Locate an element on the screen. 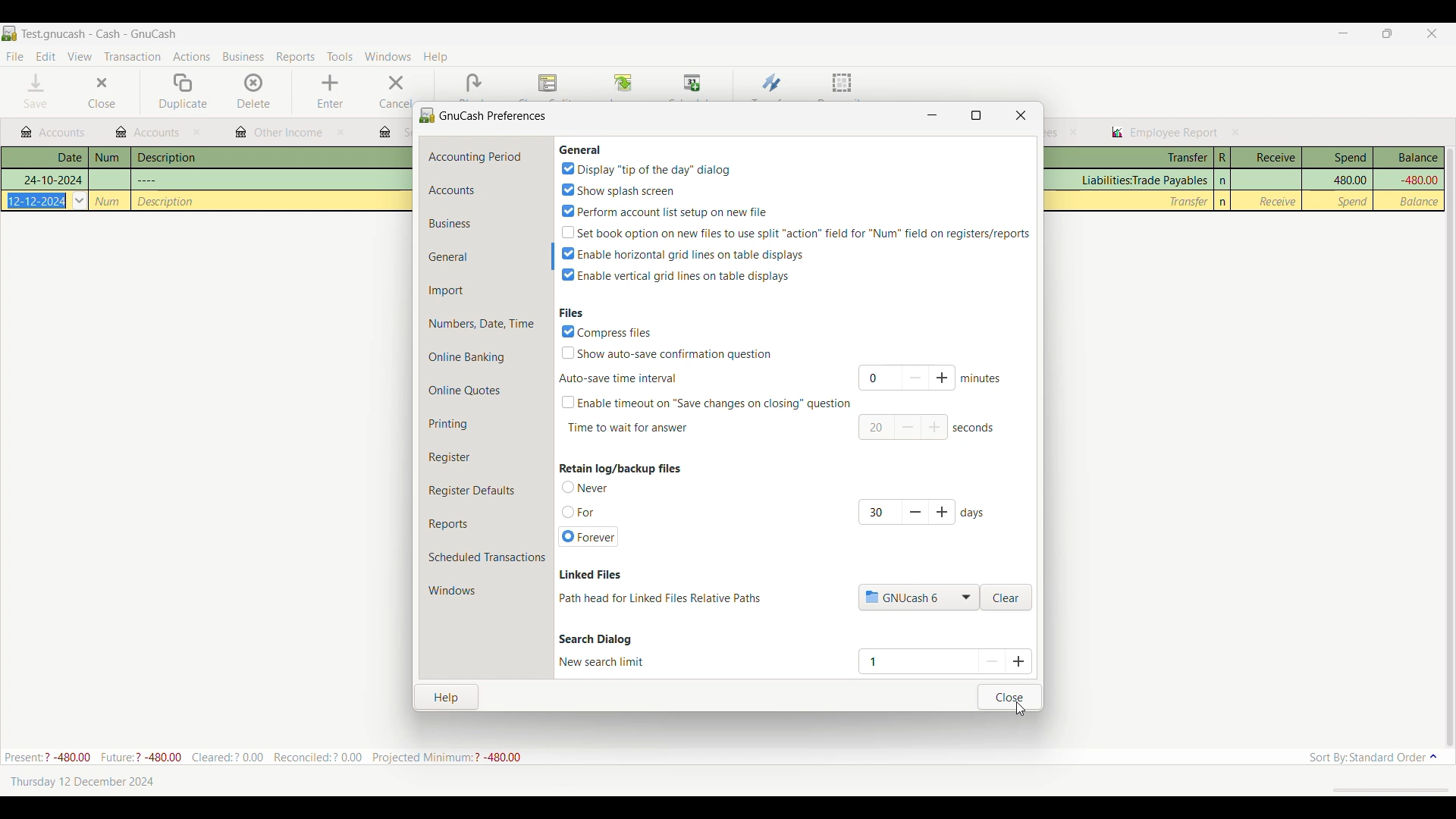 The height and width of the screenshot is (819, 1456). Num column is located at coordinates (109, 158).